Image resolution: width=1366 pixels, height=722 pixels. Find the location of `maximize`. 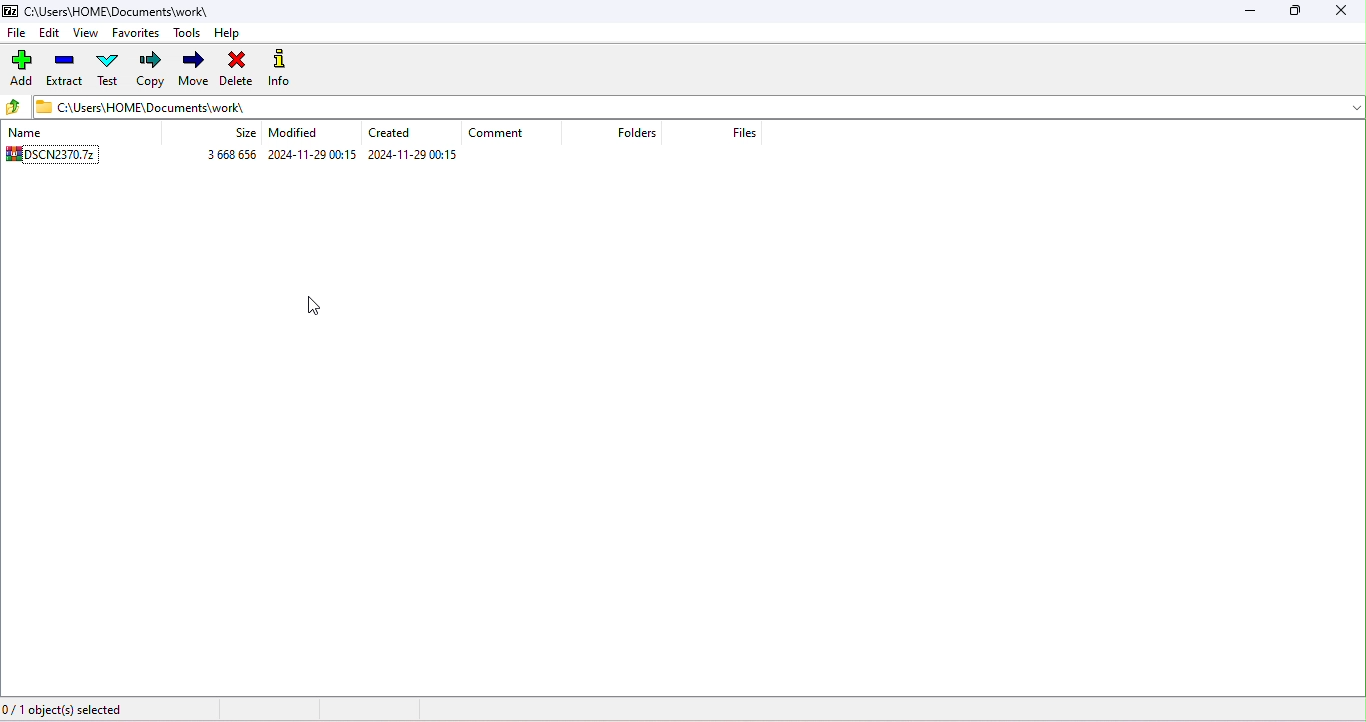

maximize is located at coordinates (1296, 12).